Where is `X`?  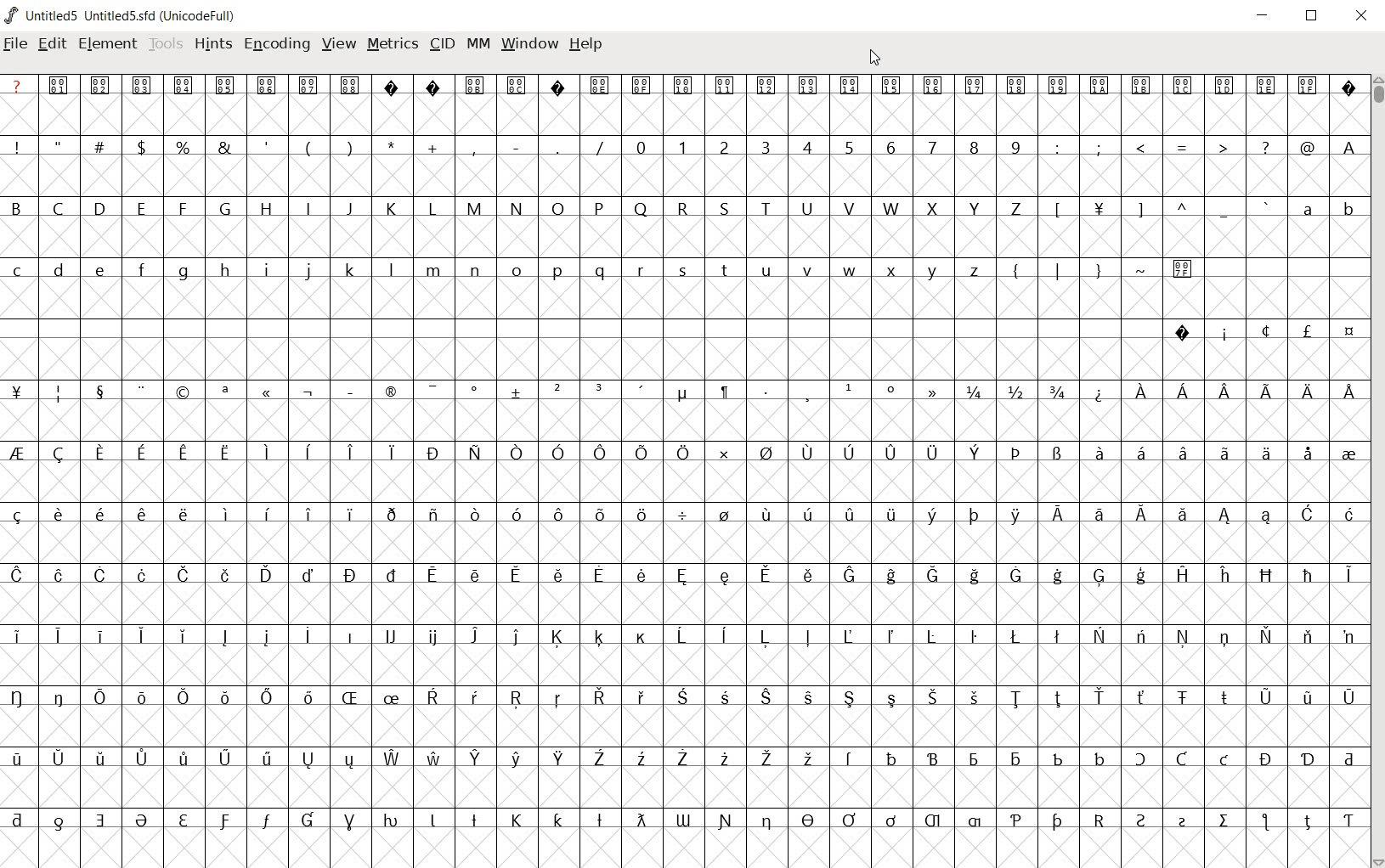
X is located at coordinates (933, 208).